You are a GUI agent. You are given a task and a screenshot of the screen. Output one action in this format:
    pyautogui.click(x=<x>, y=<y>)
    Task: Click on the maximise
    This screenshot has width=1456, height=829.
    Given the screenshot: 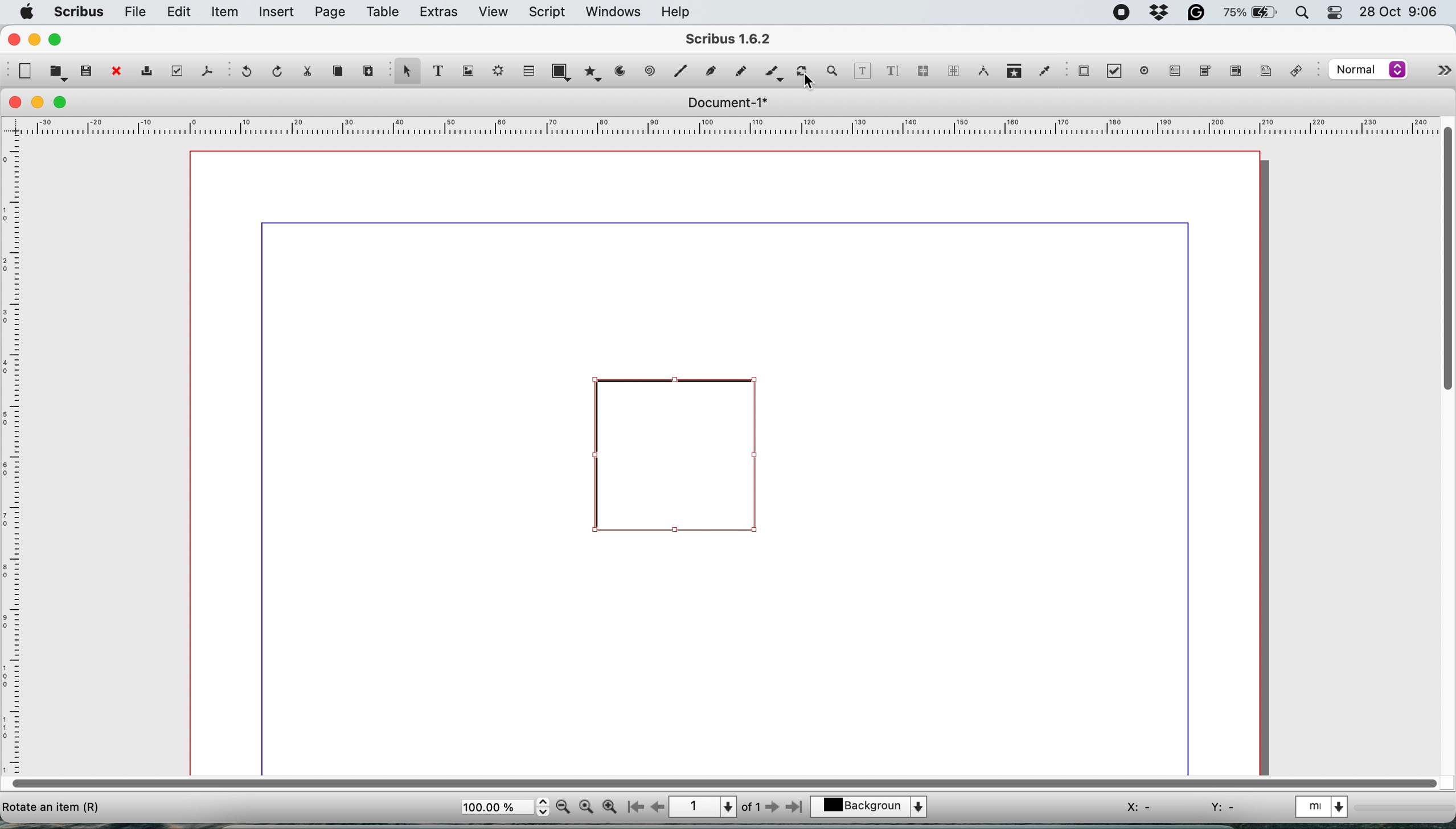 What is the action you would take?
    pyautogui.click(x=63, y=102)
    